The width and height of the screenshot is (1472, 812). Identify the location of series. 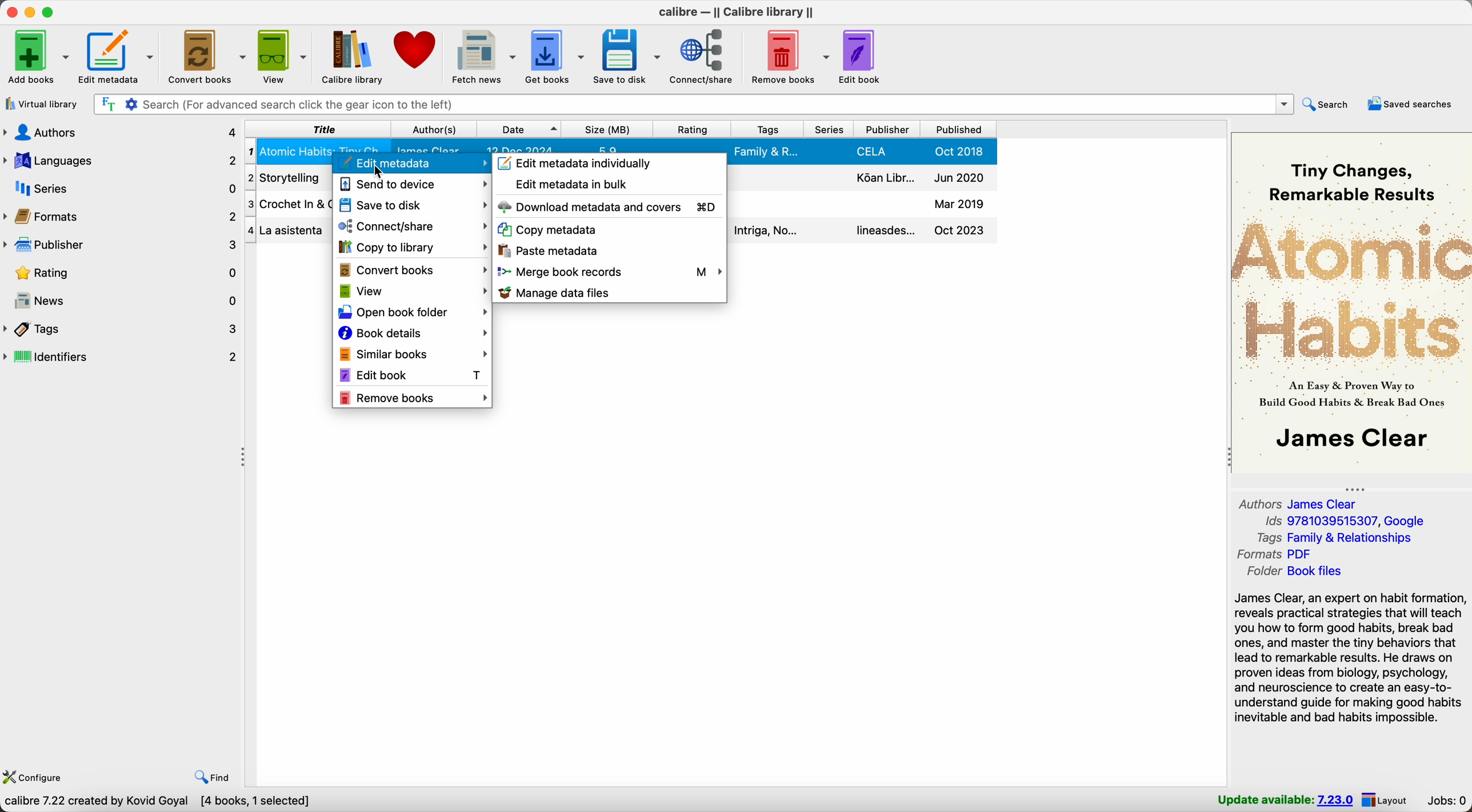
(831, 129).